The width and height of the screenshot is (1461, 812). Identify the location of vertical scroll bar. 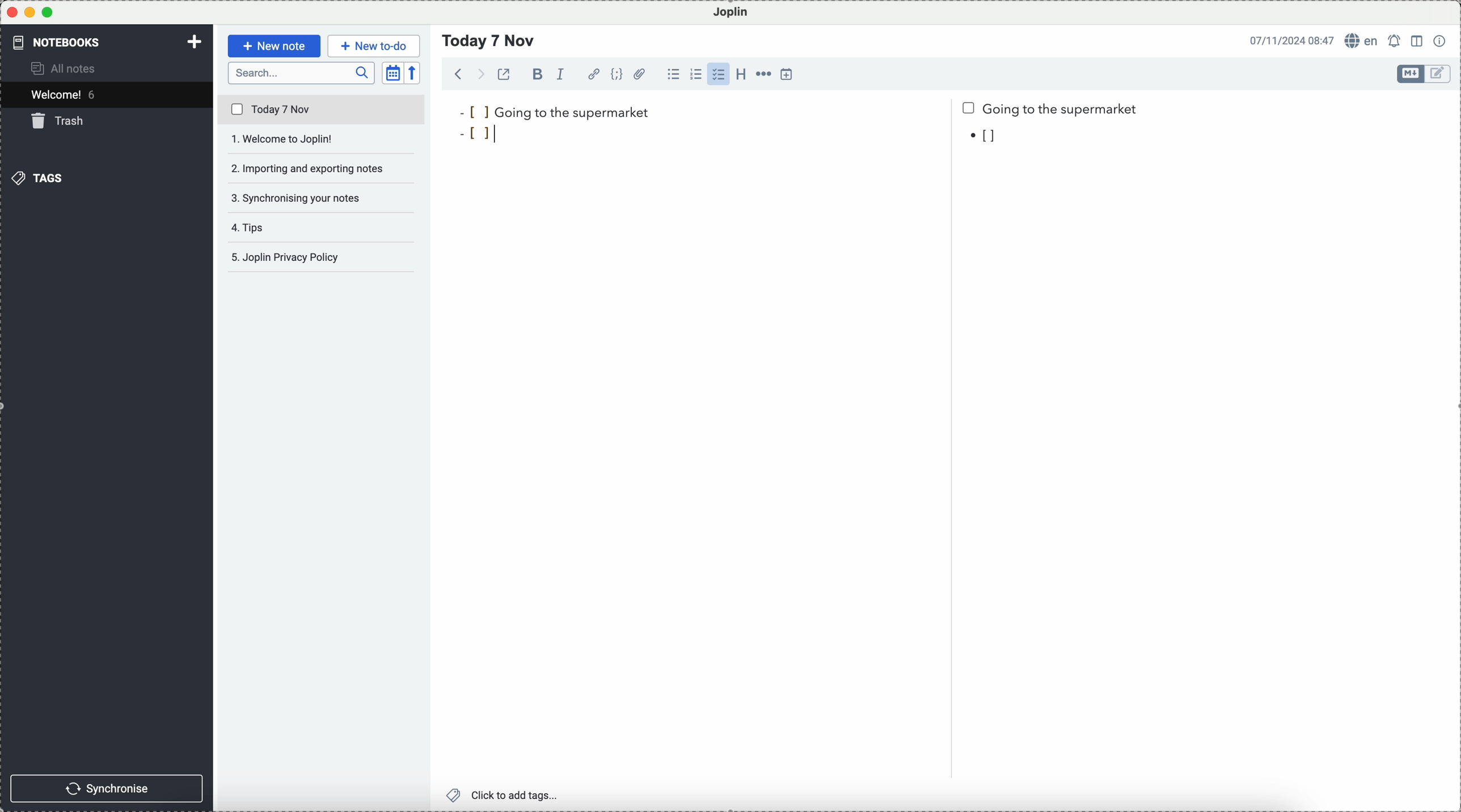
(1451, 192).